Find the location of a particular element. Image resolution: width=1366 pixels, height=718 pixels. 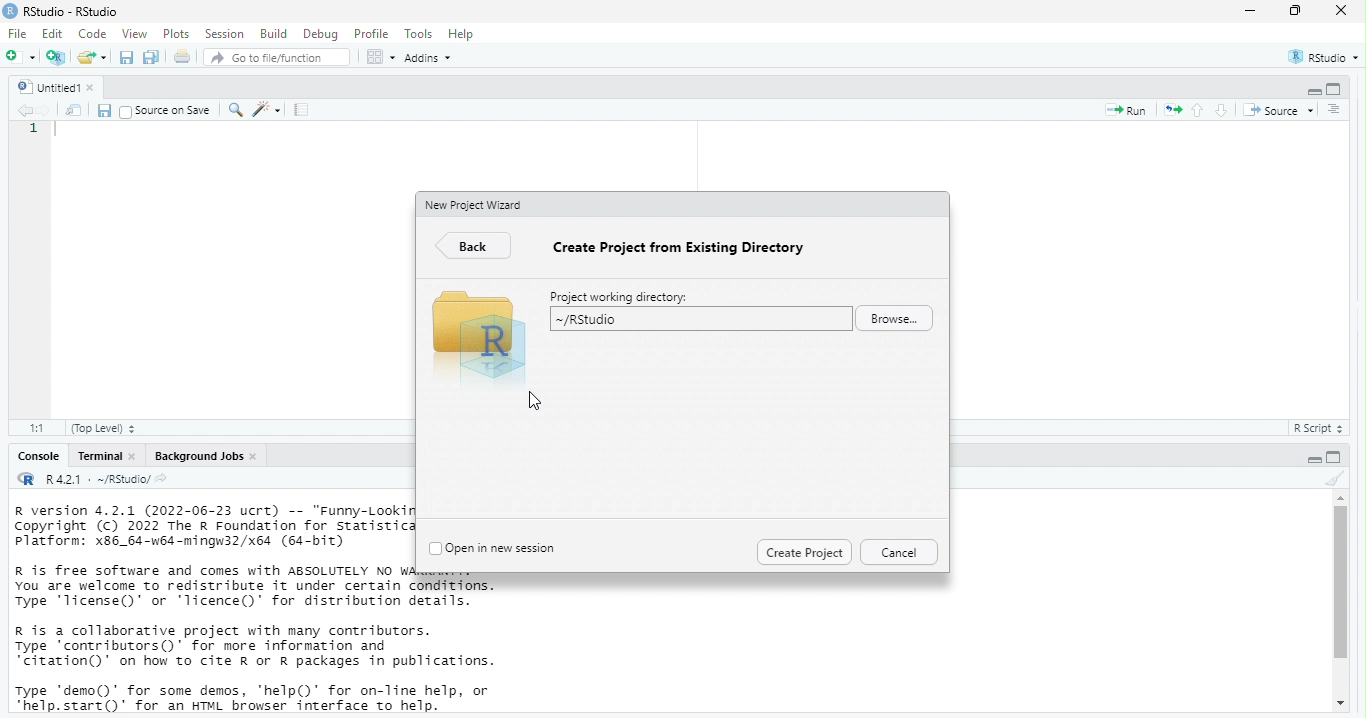

information about contributors is located at coordinates (260, 645).